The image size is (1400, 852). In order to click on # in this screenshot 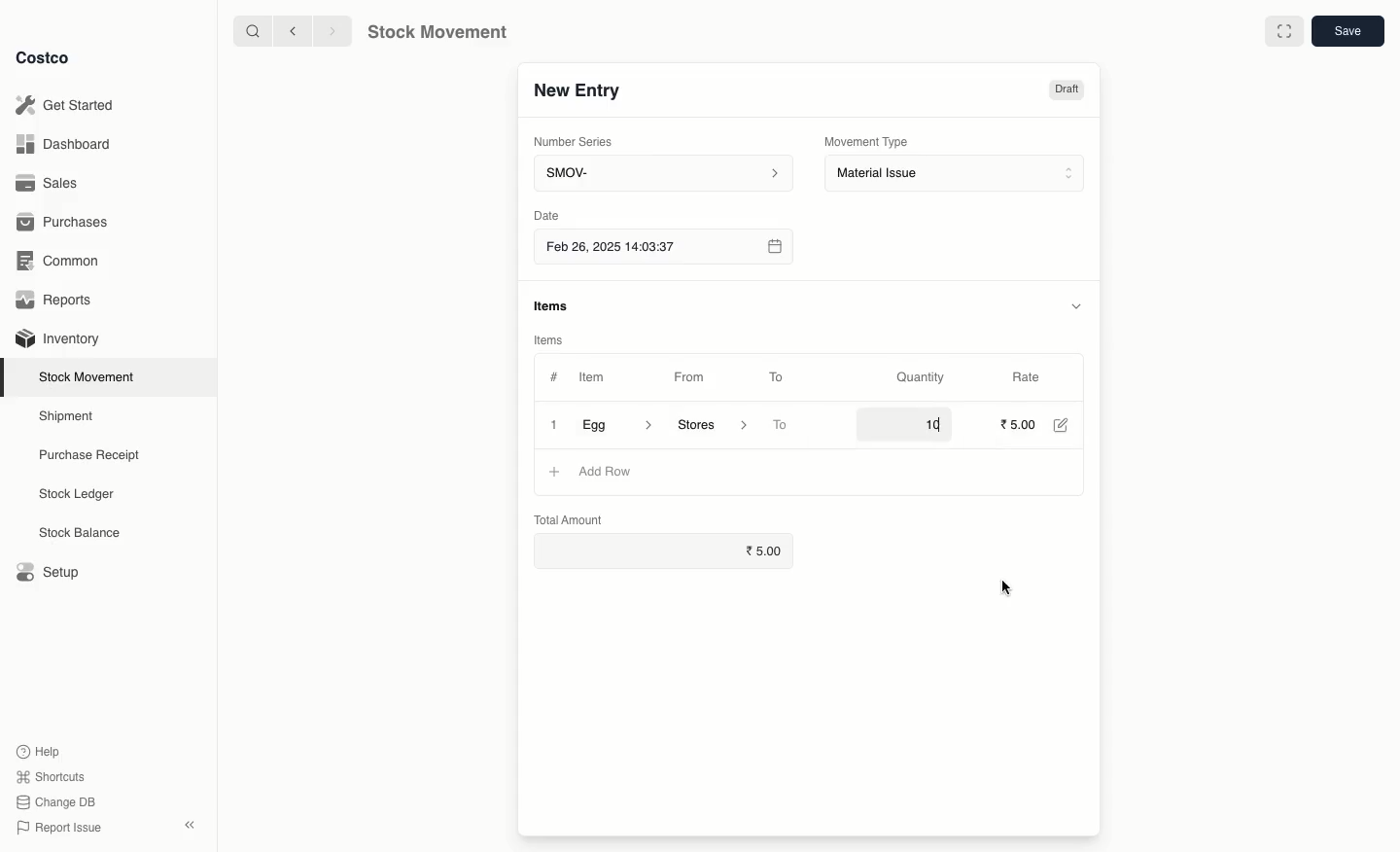, I will do `click(554, 377)`.